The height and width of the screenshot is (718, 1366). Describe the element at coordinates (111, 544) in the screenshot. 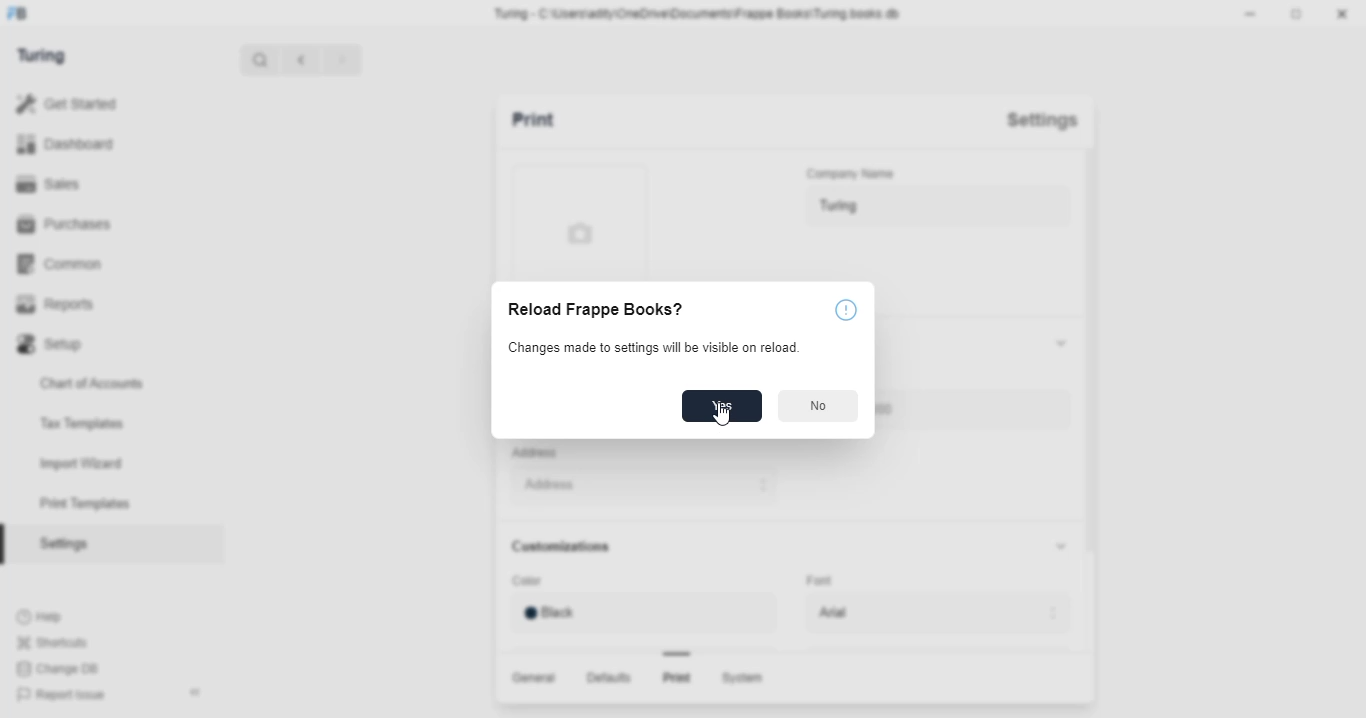

I see `Setiings.` at that location.